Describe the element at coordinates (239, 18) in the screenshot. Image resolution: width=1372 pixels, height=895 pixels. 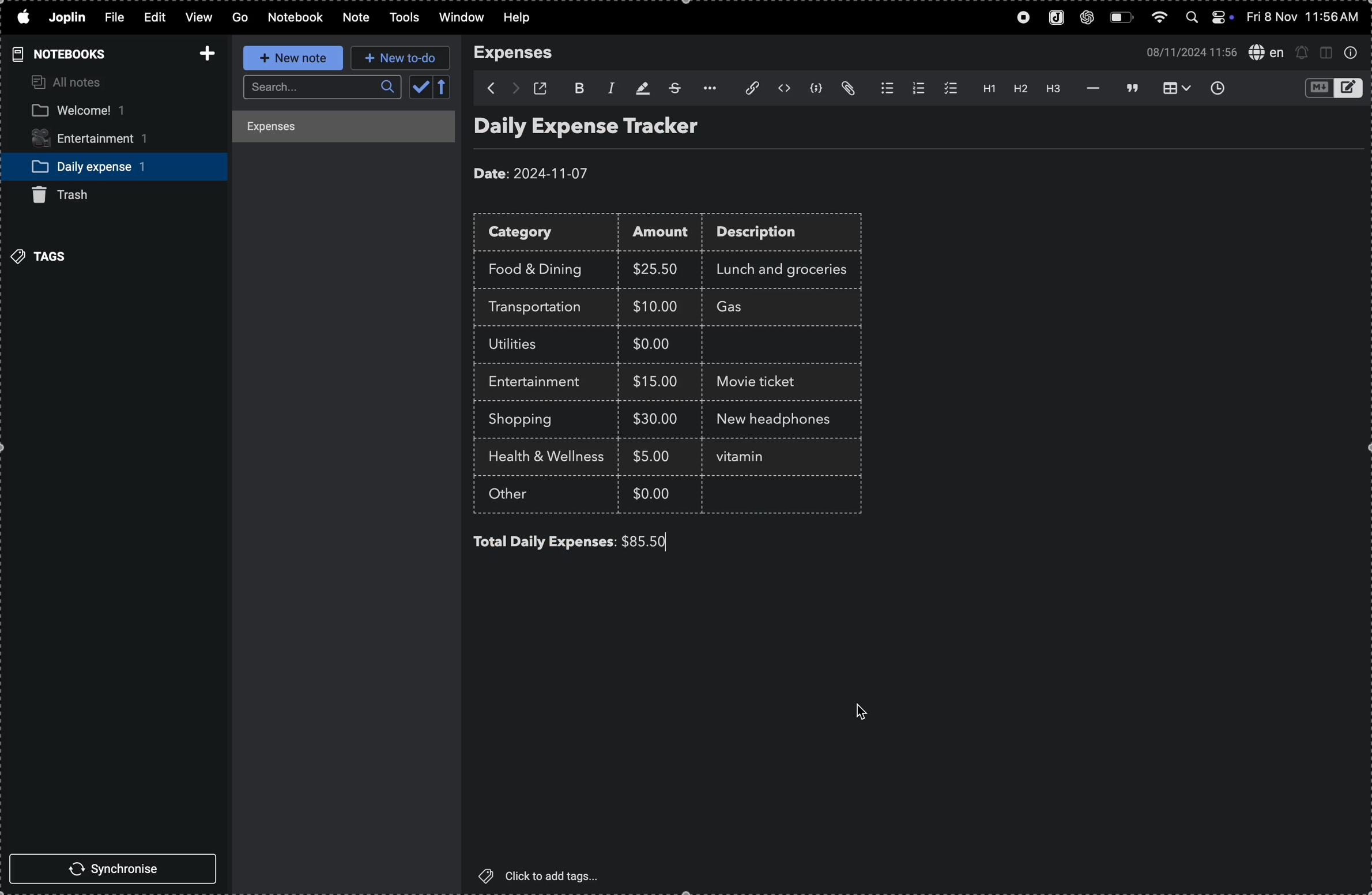
I see `go` at that location.